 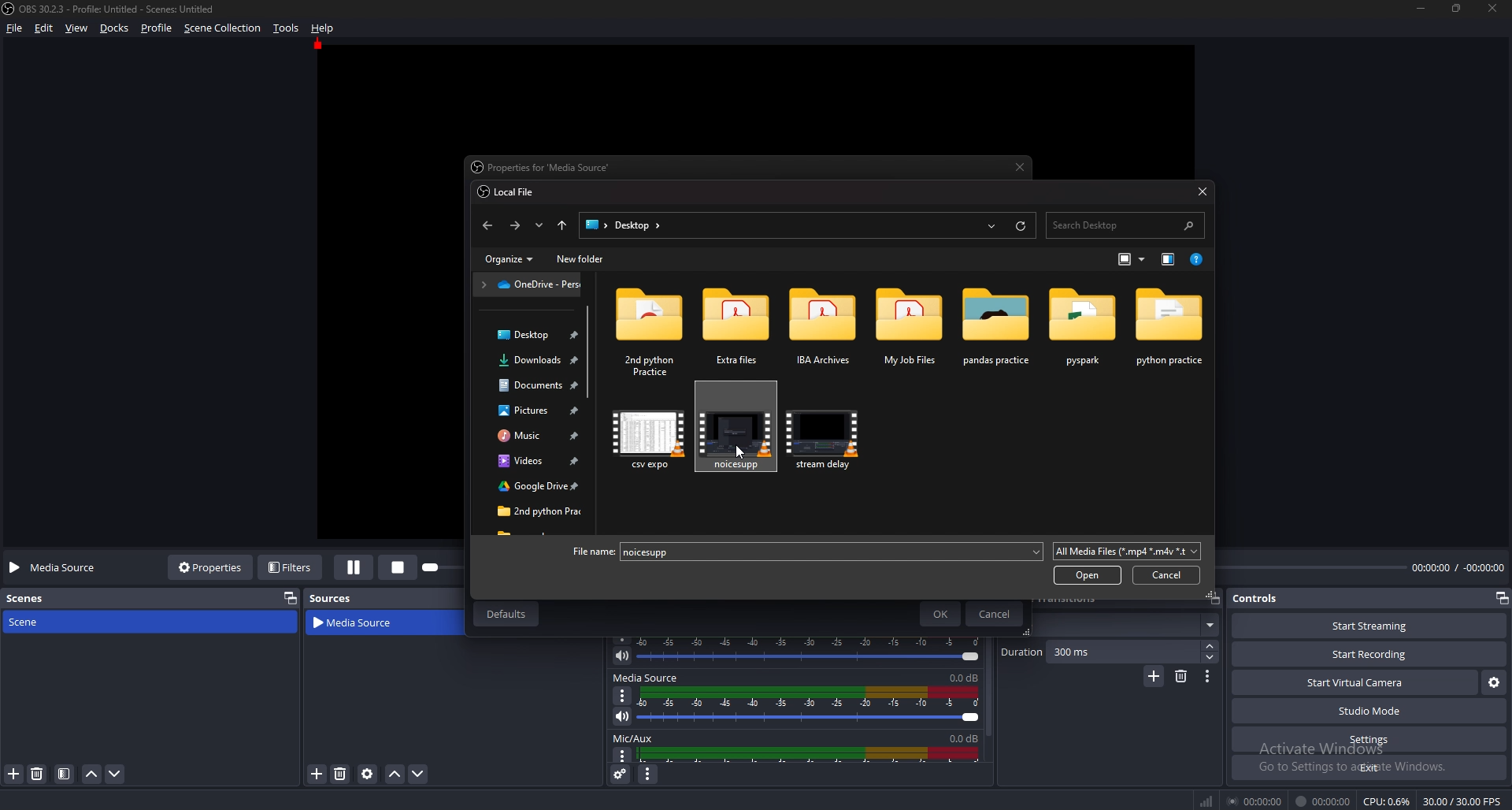 I want to click on close, so click(x=1494, y=8).